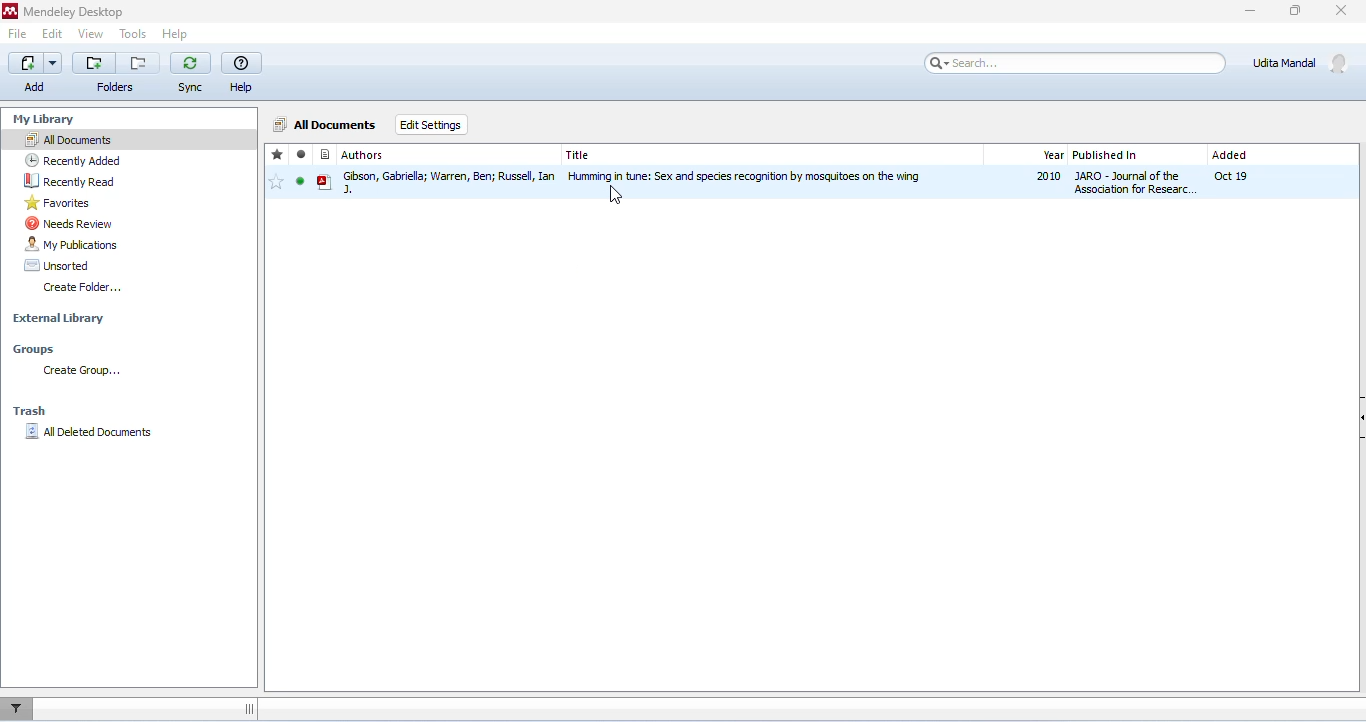 Image resolution: width=1366 pixels, height=722 pixels. I want to click on sync, so click(190, 74).